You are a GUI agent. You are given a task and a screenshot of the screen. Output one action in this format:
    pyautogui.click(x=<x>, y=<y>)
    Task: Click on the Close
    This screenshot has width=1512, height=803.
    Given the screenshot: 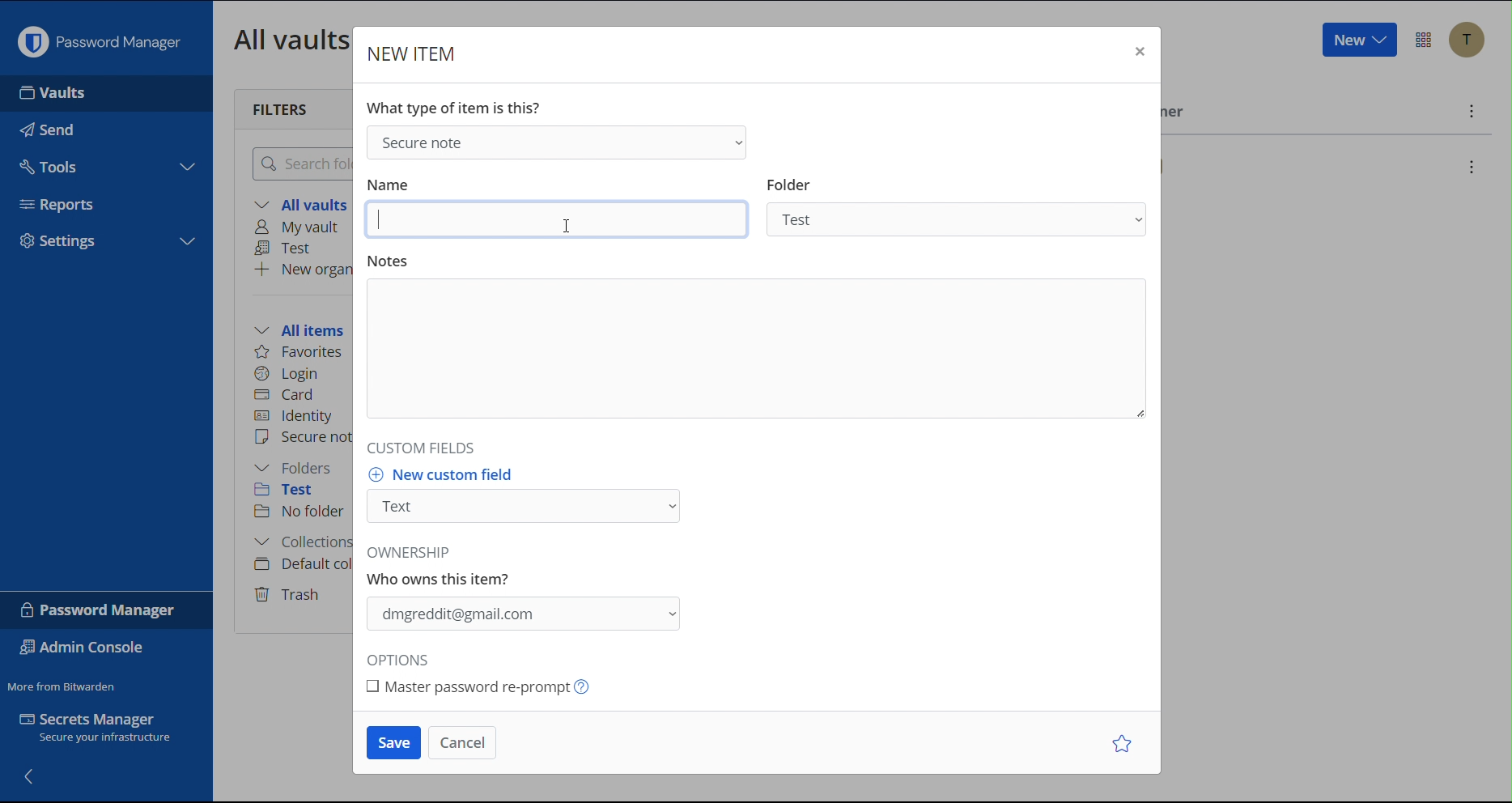 What is the action you would take?
    pyautogui.click(x=1137, y=53)
    